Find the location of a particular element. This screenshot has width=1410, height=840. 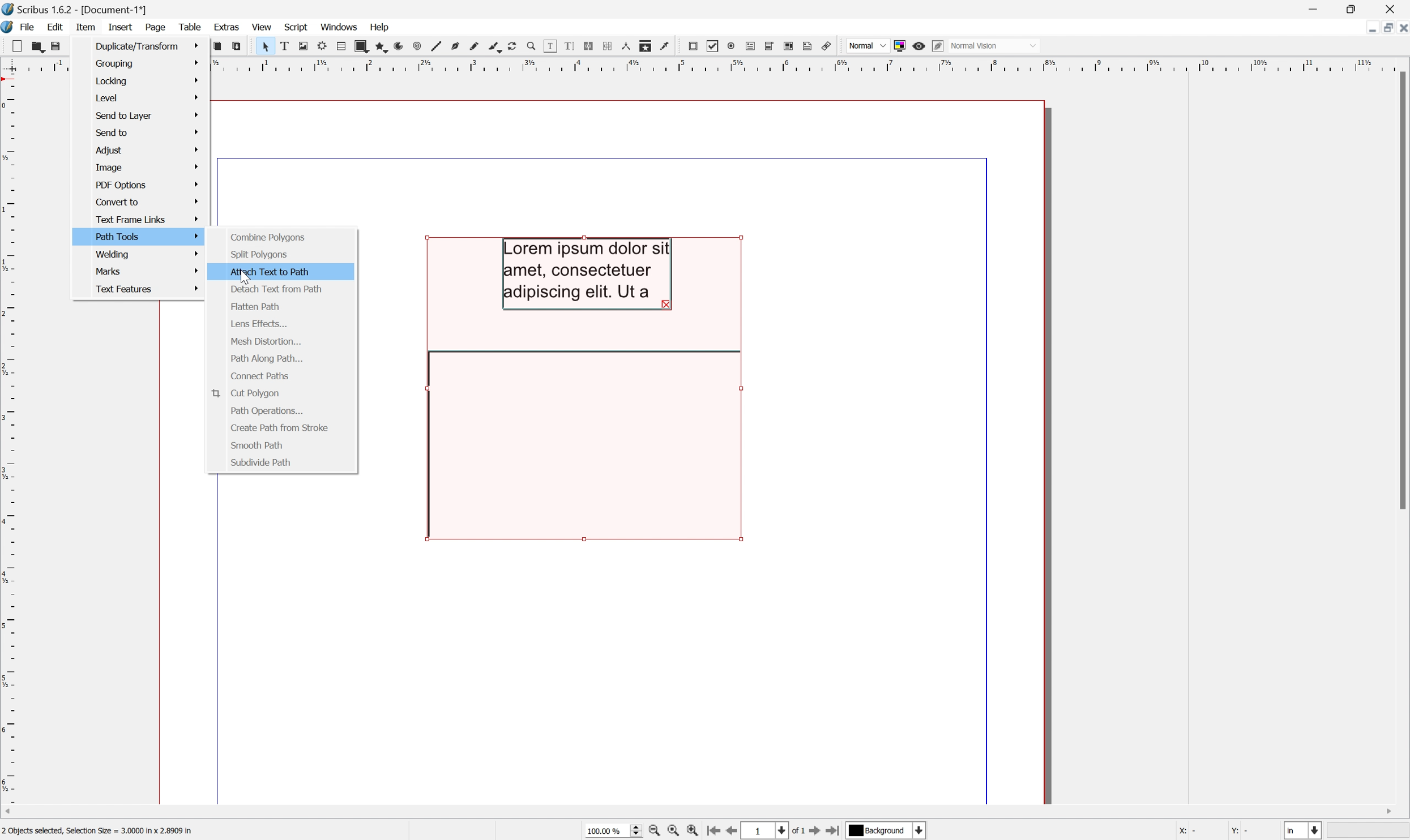

Text features is located at coordinates (148, 290).